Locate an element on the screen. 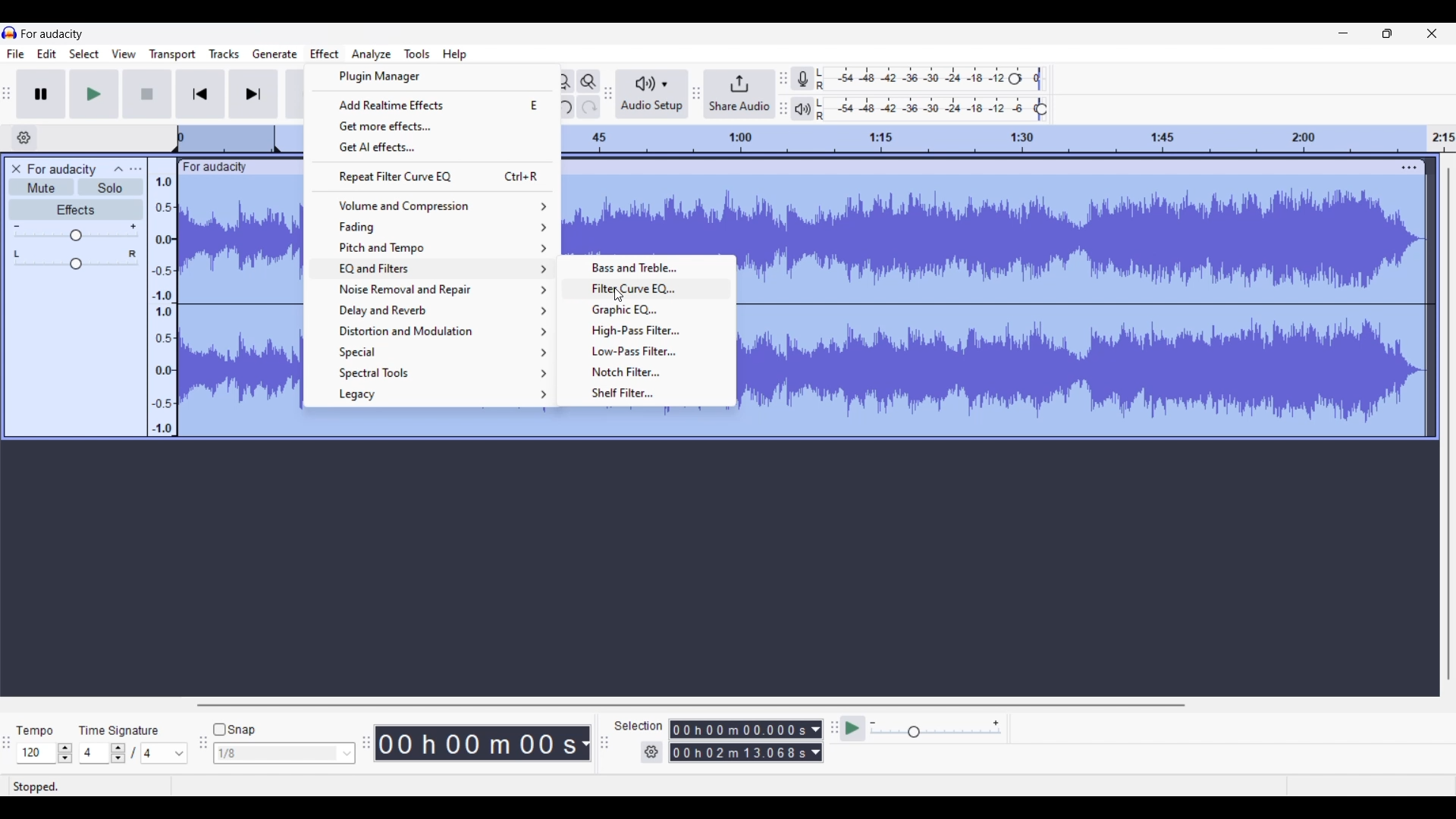 The height and width of the screenshot is (819, 1456). View menu is located at coordinates (124, 54).